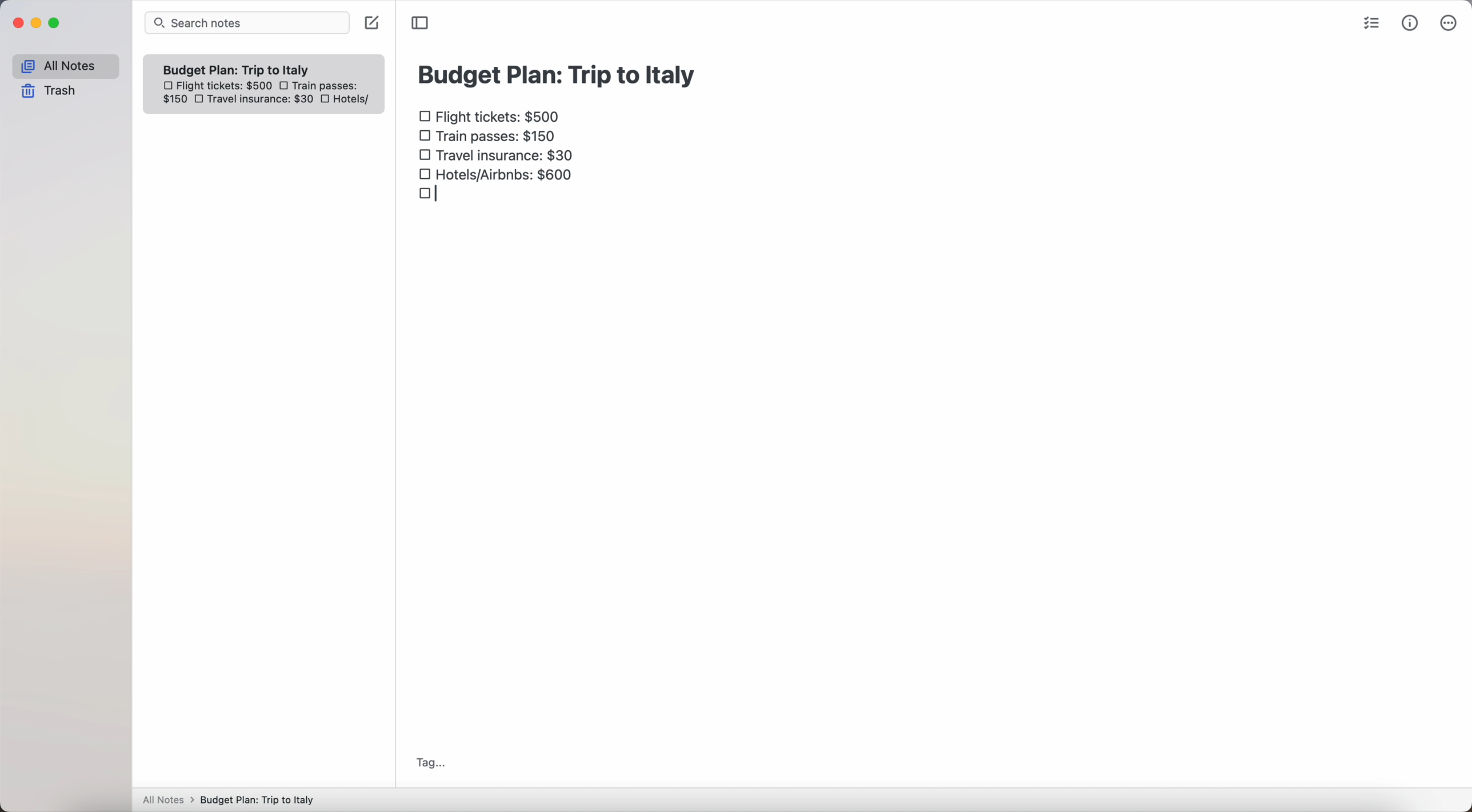  I want to click on minimize, so click(39, 23).